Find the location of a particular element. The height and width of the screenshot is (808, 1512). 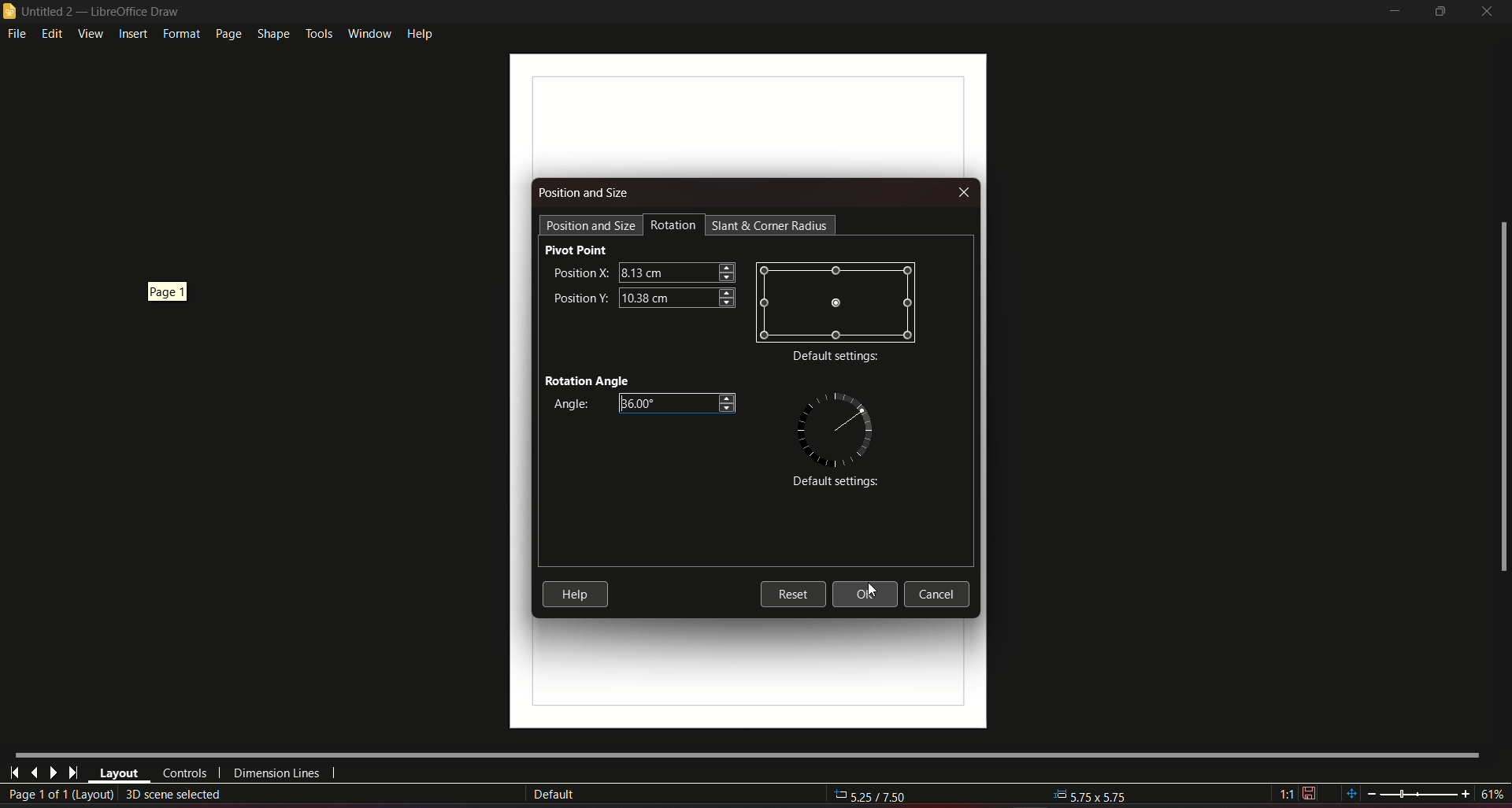

window is located at coordinates (368, 31).